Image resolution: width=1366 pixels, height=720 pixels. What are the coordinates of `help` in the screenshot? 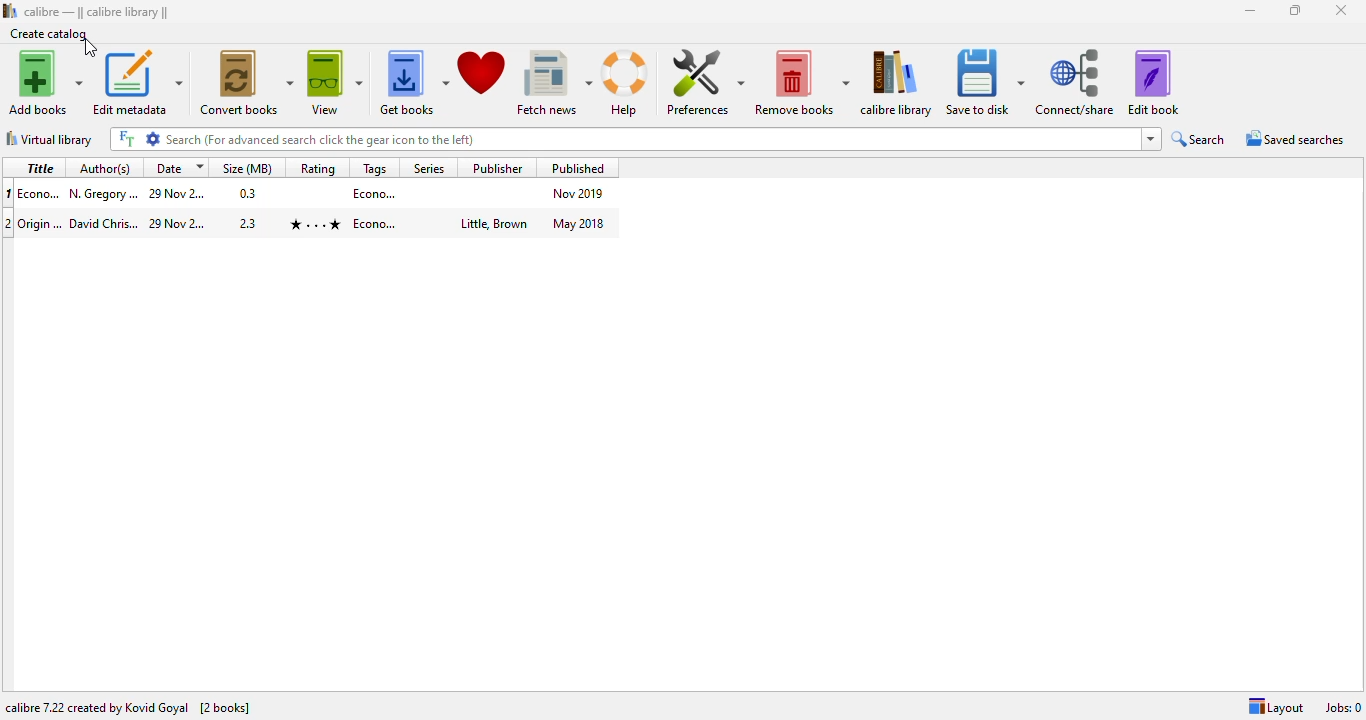 It's located at (626, 82).